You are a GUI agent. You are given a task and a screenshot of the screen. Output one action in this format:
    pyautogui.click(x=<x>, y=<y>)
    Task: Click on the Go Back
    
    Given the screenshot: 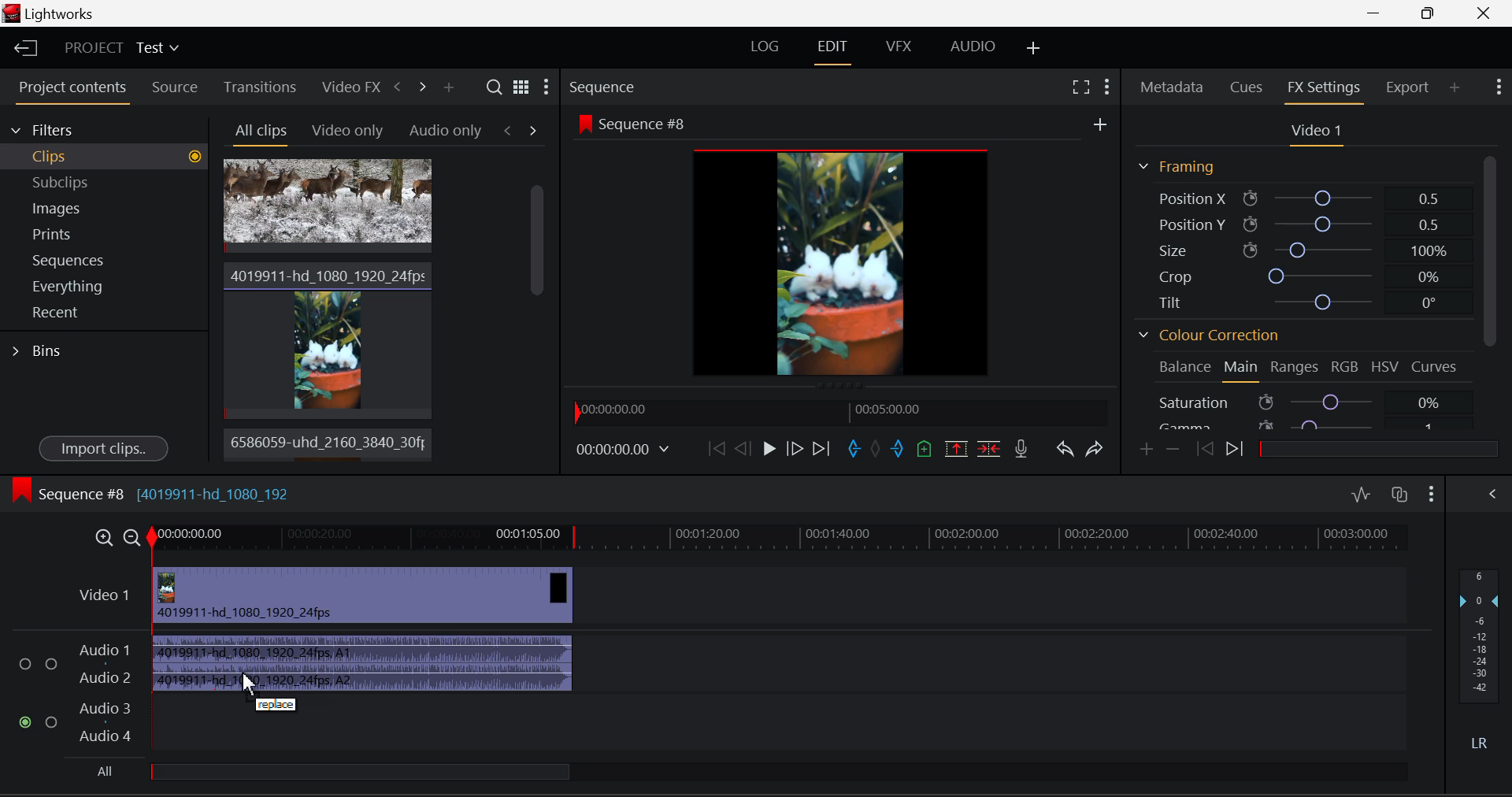 What is the action you would take?
    pyautogui.click(x=742, y=447)
    